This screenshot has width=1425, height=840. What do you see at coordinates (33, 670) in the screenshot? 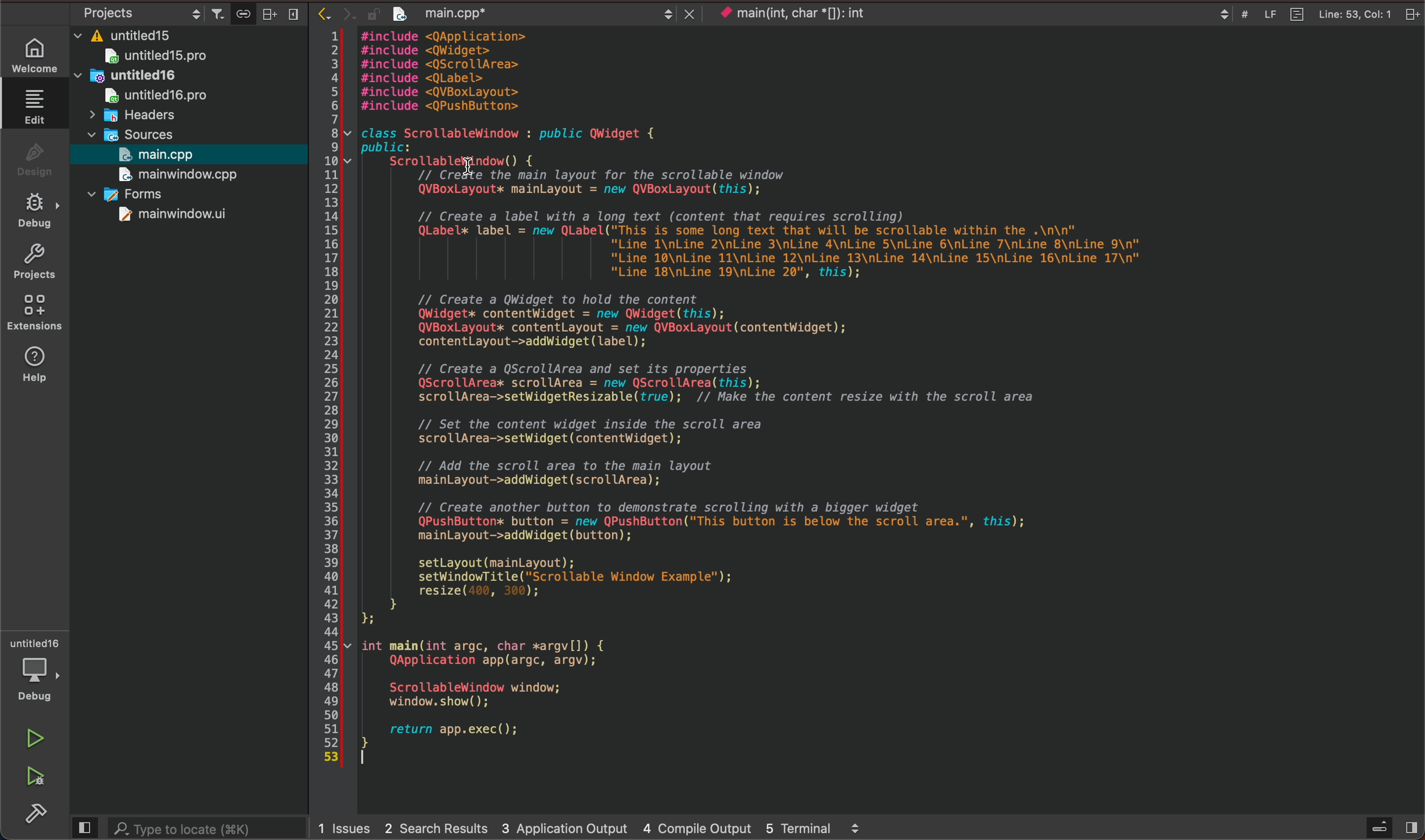
I see `debugger` at bounding box center [33, 670].